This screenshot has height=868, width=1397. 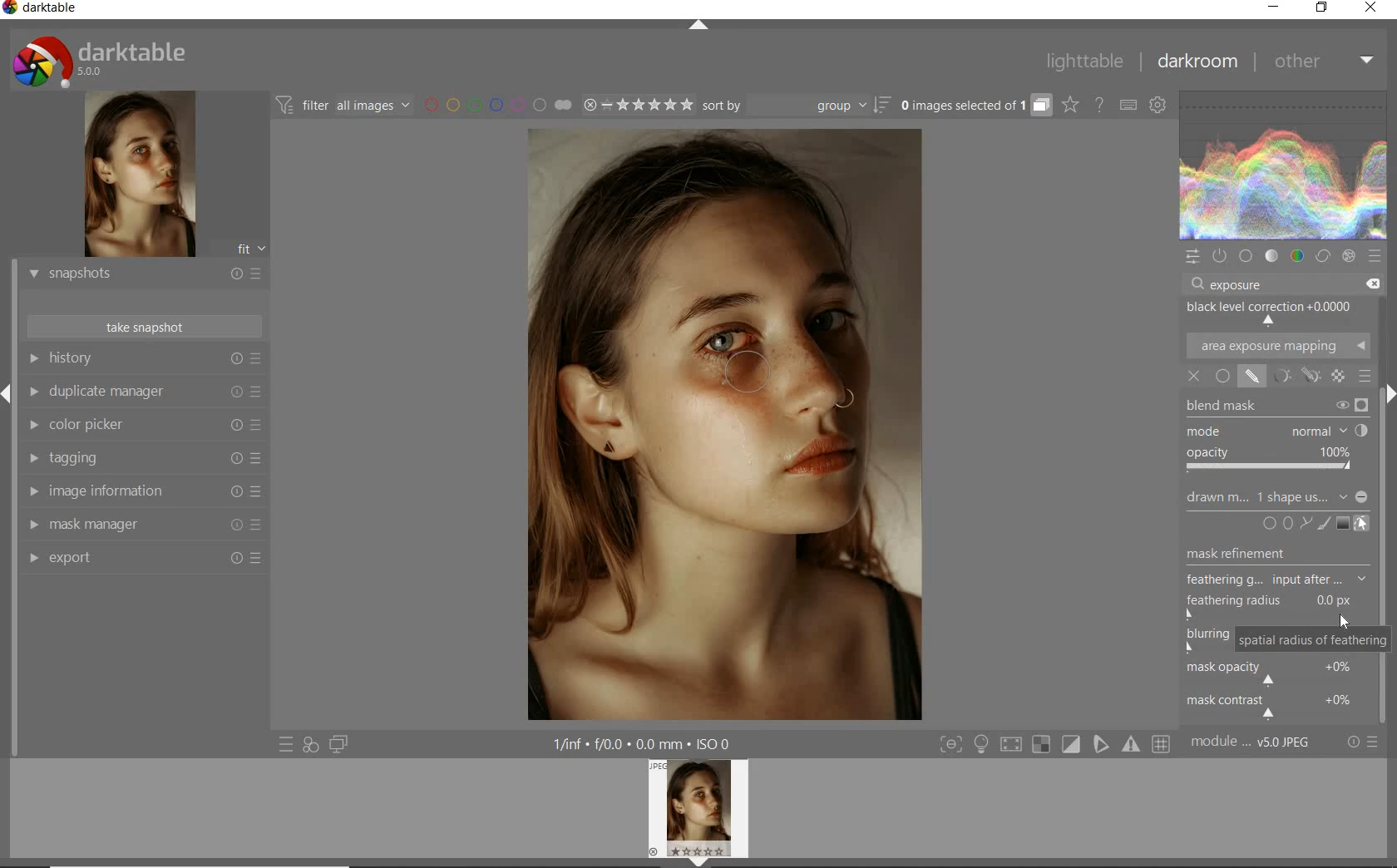 I want to click on mask manager, so click(x=147, y=525).